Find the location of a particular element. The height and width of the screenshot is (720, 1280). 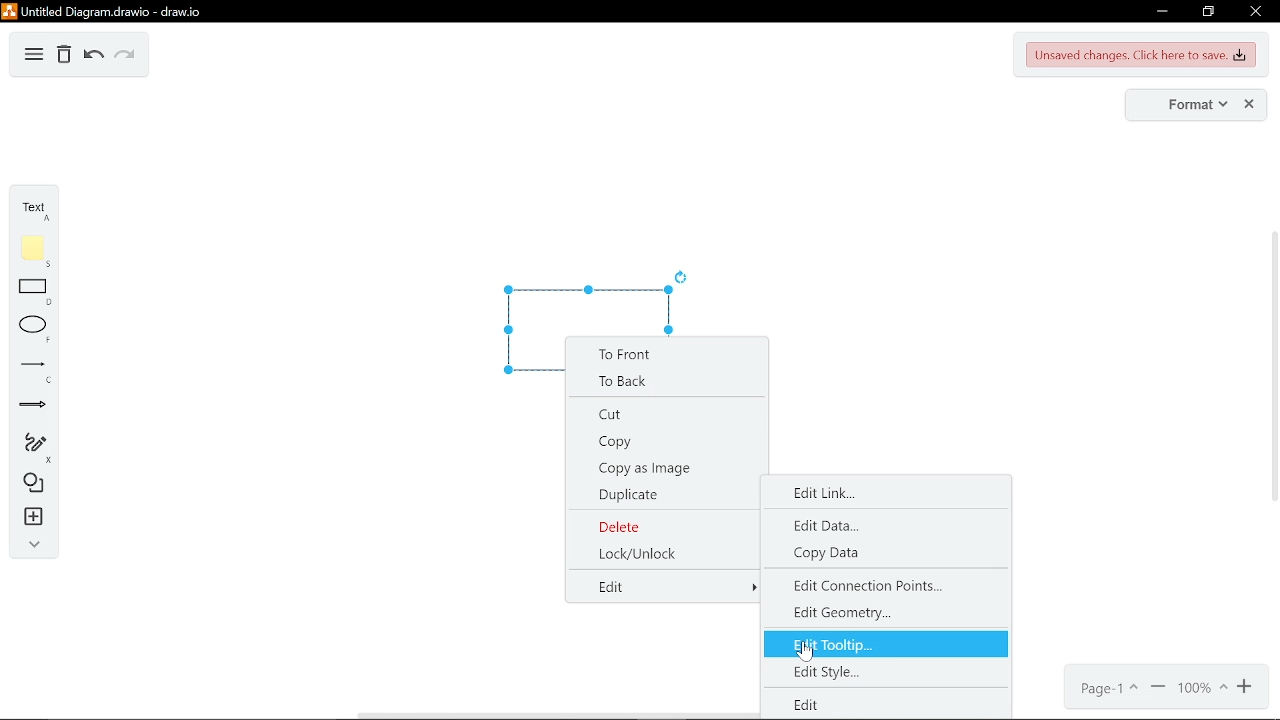

vertical scrollbar is located at coordinates (1272, 364).